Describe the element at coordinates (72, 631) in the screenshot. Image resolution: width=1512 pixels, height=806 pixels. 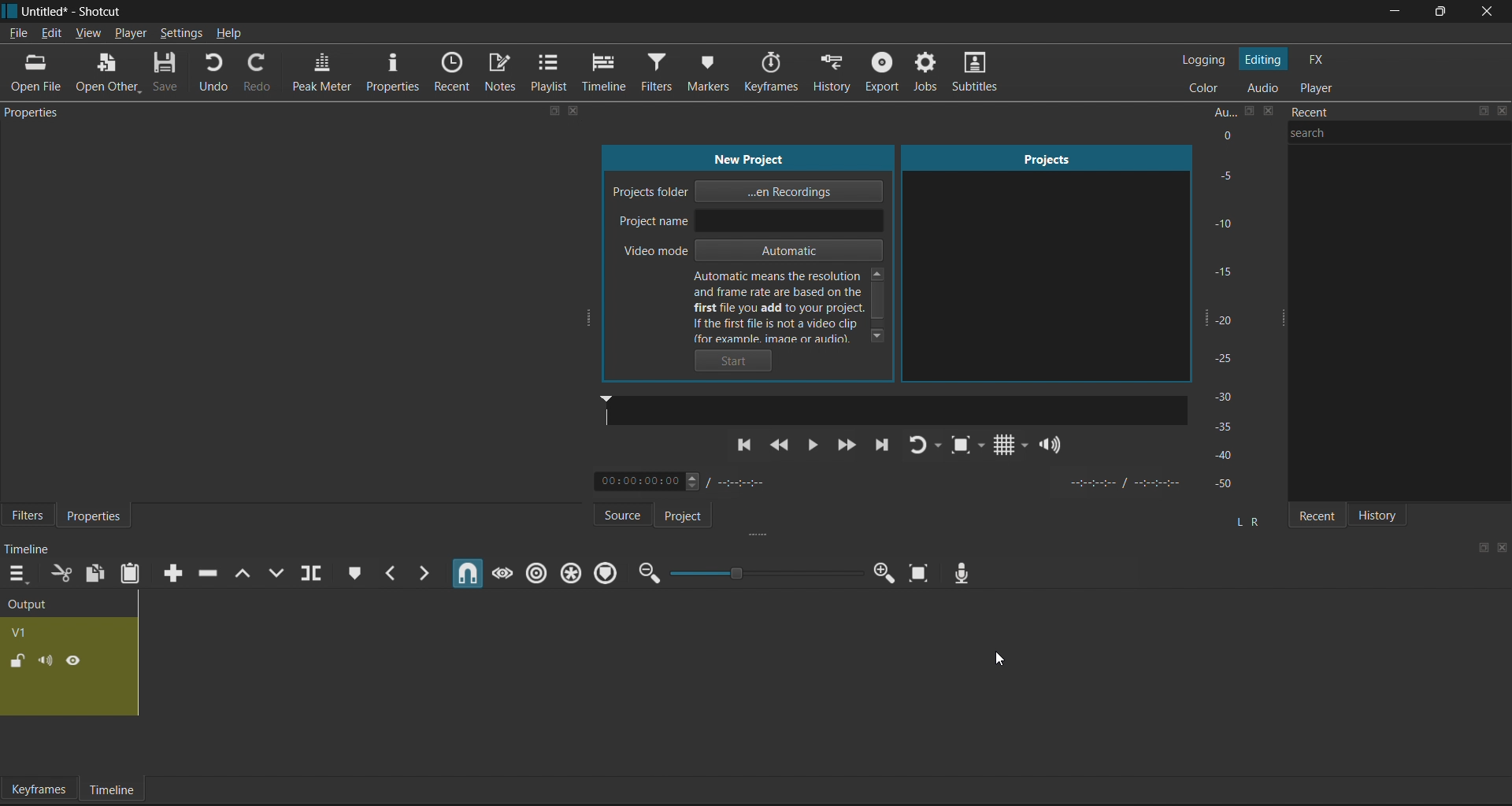
I see `Video Name` at that location.